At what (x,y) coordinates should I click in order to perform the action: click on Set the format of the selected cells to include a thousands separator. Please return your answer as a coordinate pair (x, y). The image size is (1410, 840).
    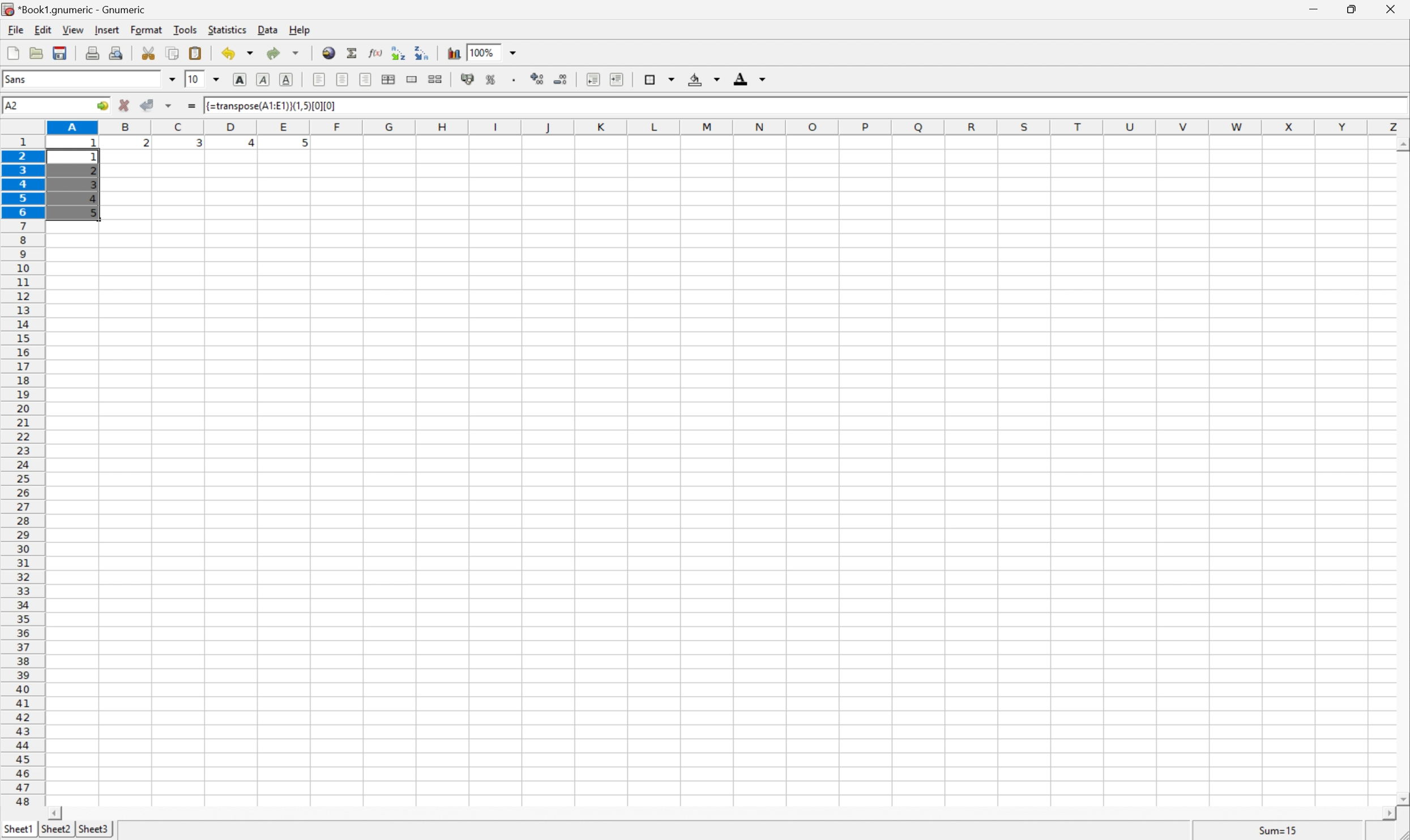
    Looking at the image, I should click on (514, 80).